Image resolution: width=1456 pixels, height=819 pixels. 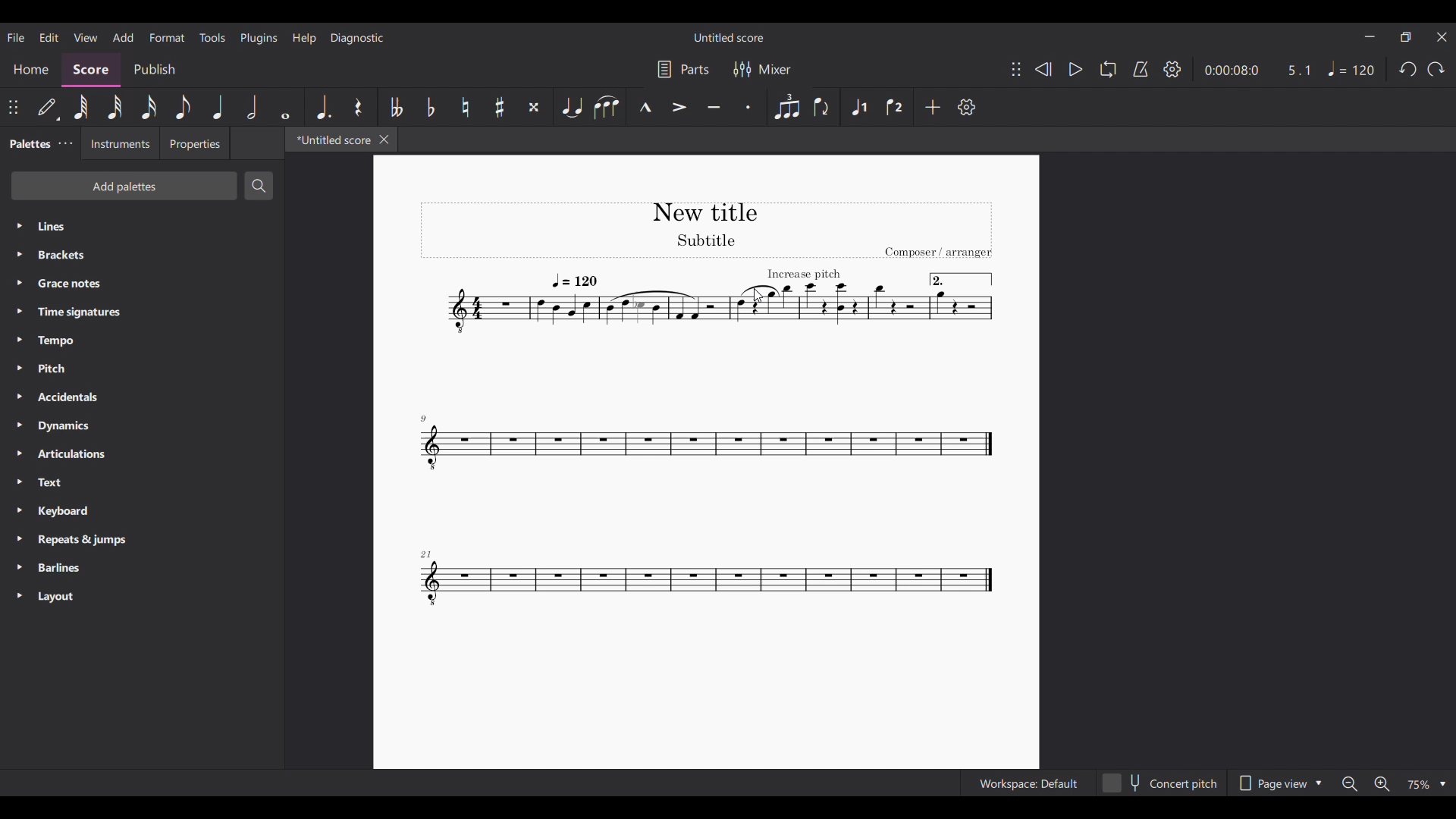 What do you see at coordinates (250, 107) in the screenshot?
I see `Half note` at bounding box center [250, 107].